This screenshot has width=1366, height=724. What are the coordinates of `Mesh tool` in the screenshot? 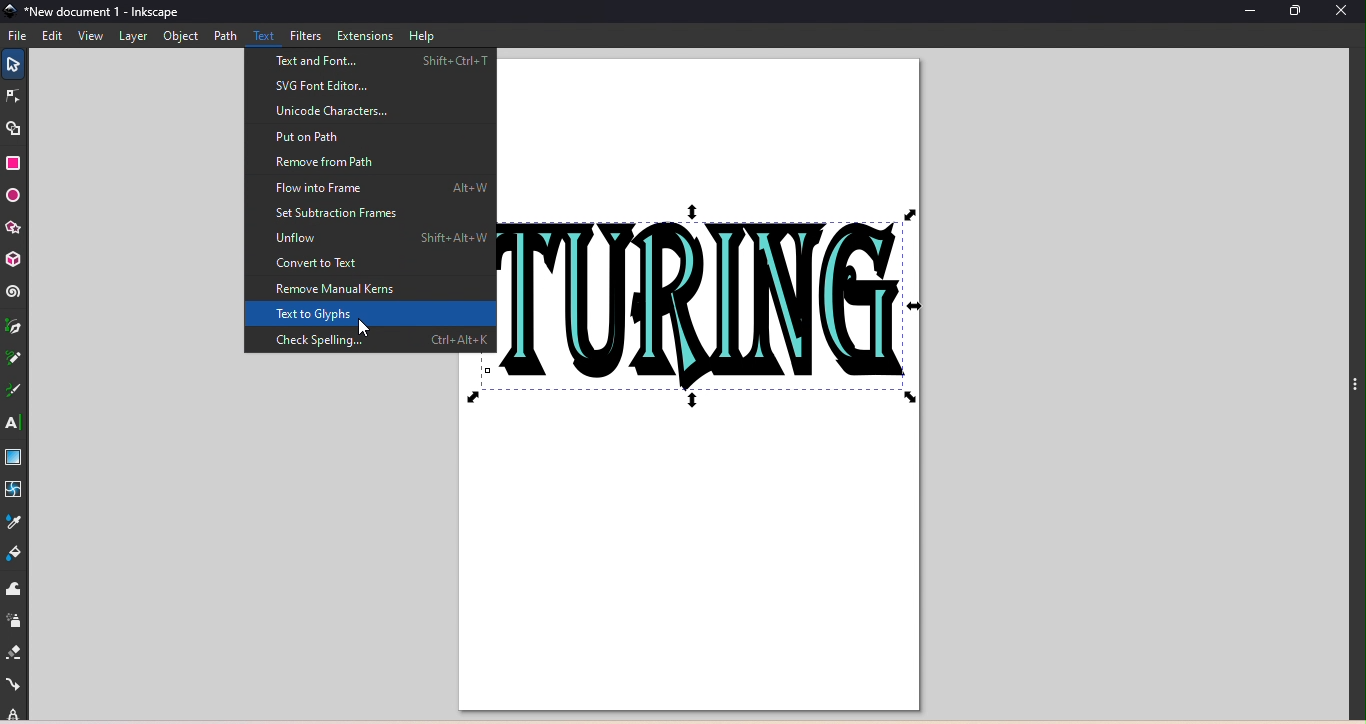 It's located at (16, 490).